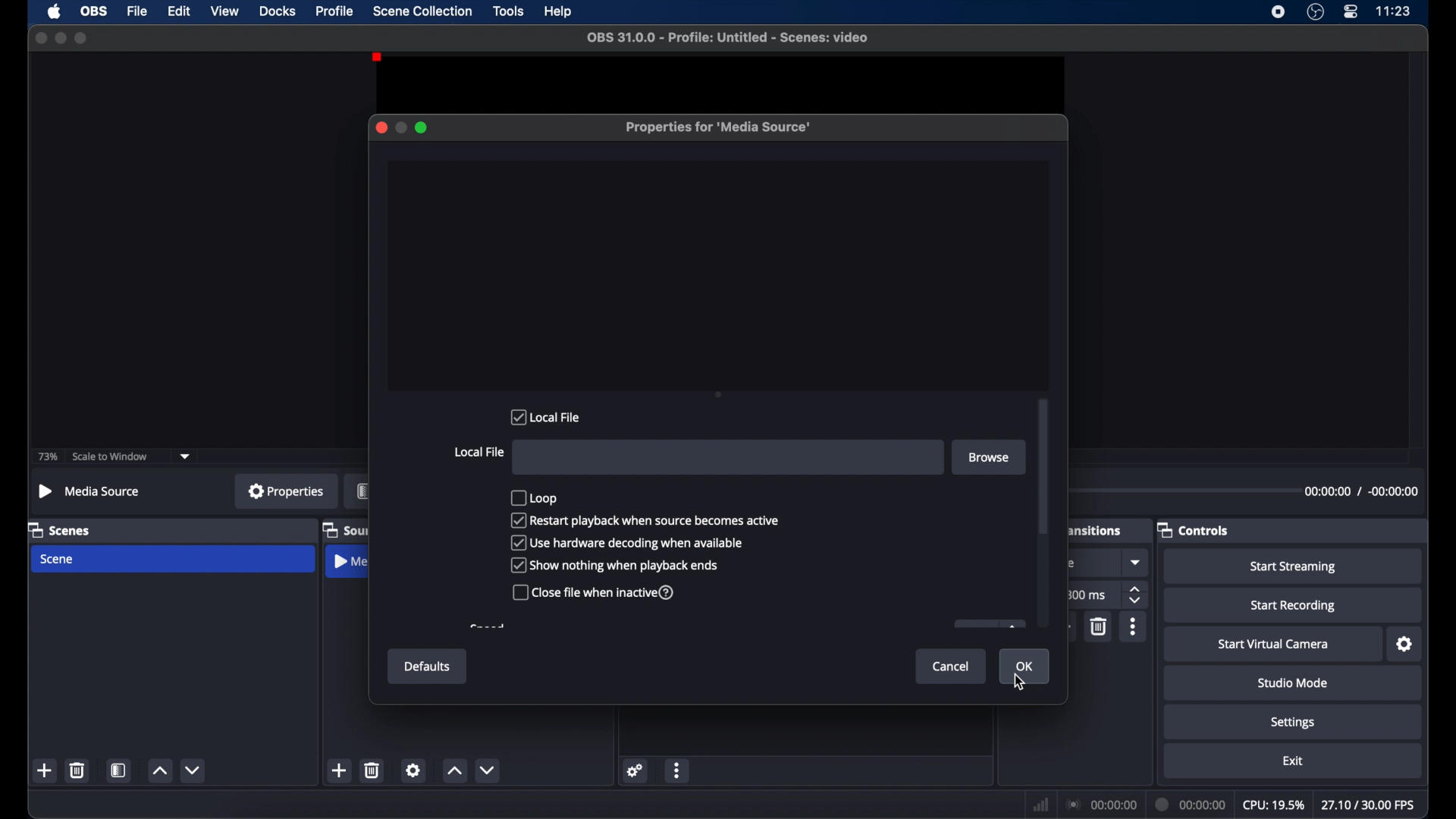 The image size is (1456, 819). I want to click on help, so click(560, 12).